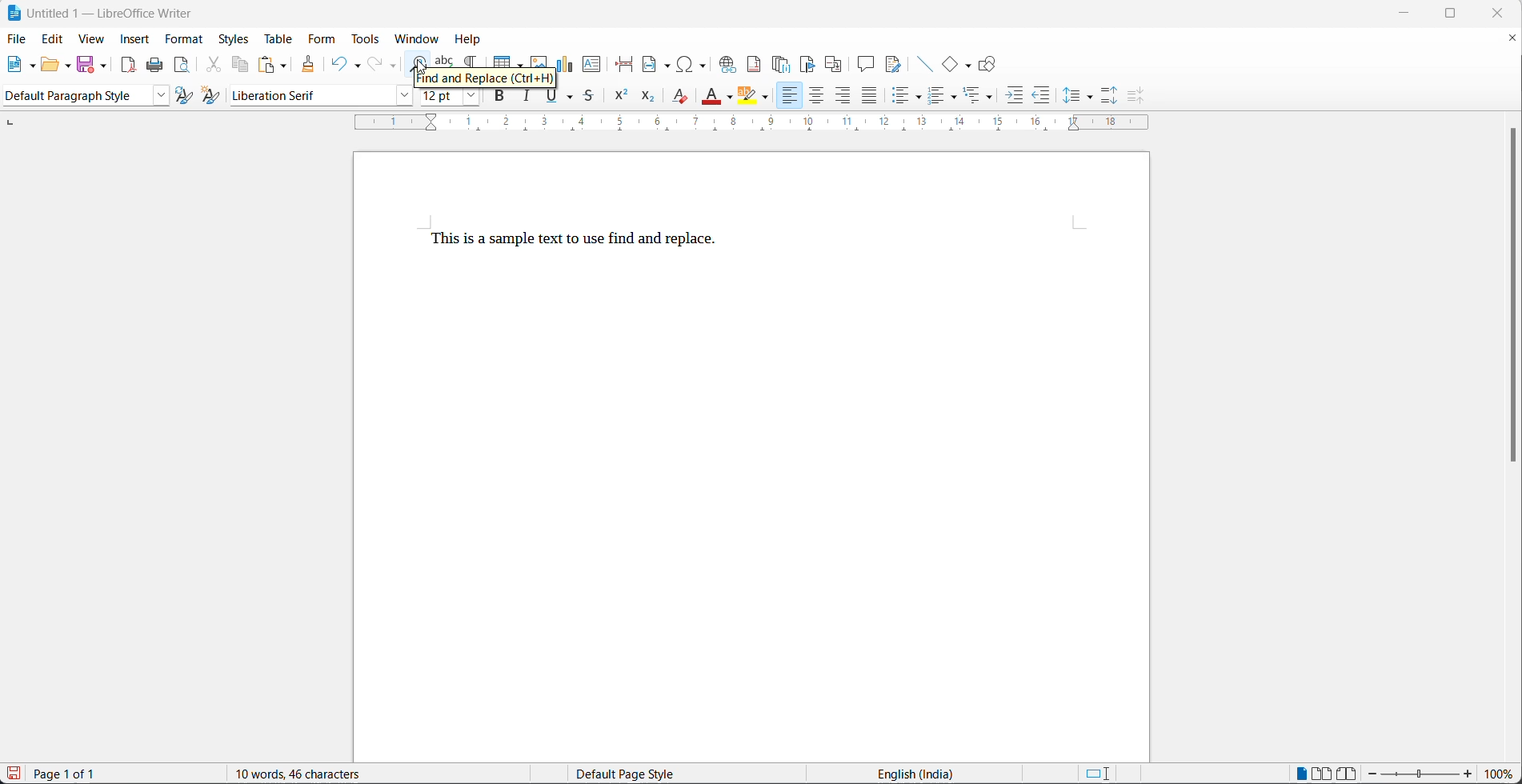 The image size is (1522, 784). Describe the element at coordinates (128, 64) in the screenshot. I see `export as pdf` at that location.